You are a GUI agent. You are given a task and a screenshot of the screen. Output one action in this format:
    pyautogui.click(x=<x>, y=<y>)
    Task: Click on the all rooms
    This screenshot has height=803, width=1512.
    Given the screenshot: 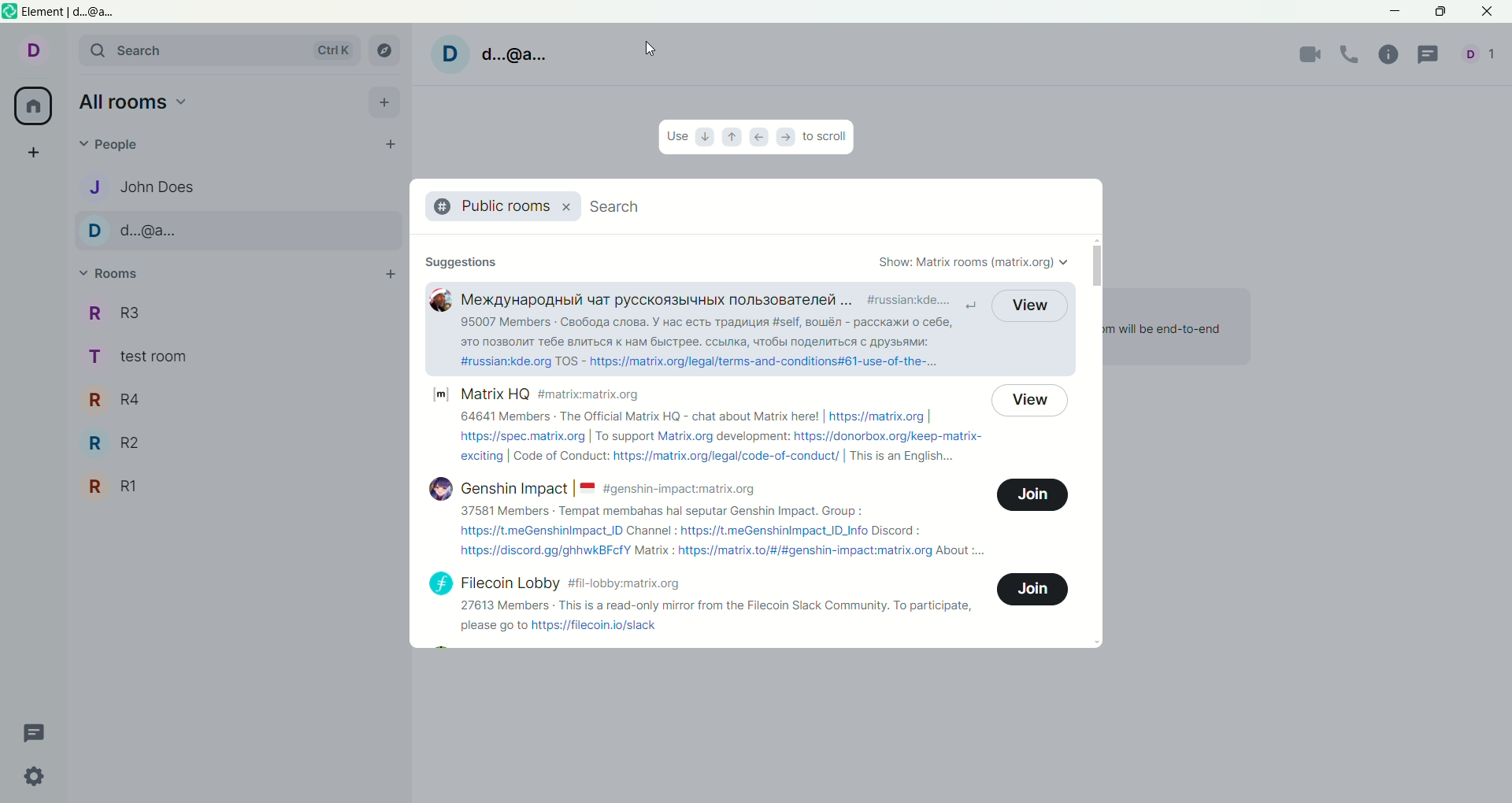 What is the action you would take?
    pyautogui.click(x=135, y=102)
    